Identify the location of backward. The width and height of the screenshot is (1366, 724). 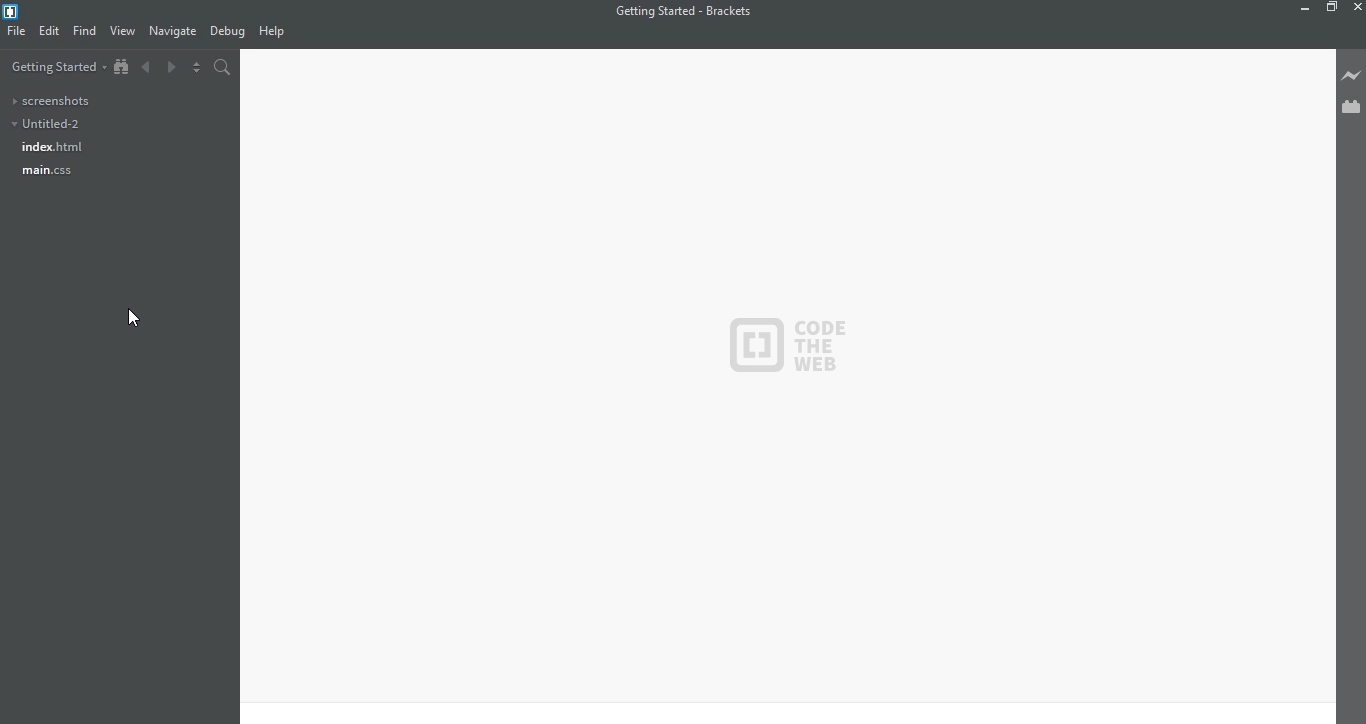
(146, 68).